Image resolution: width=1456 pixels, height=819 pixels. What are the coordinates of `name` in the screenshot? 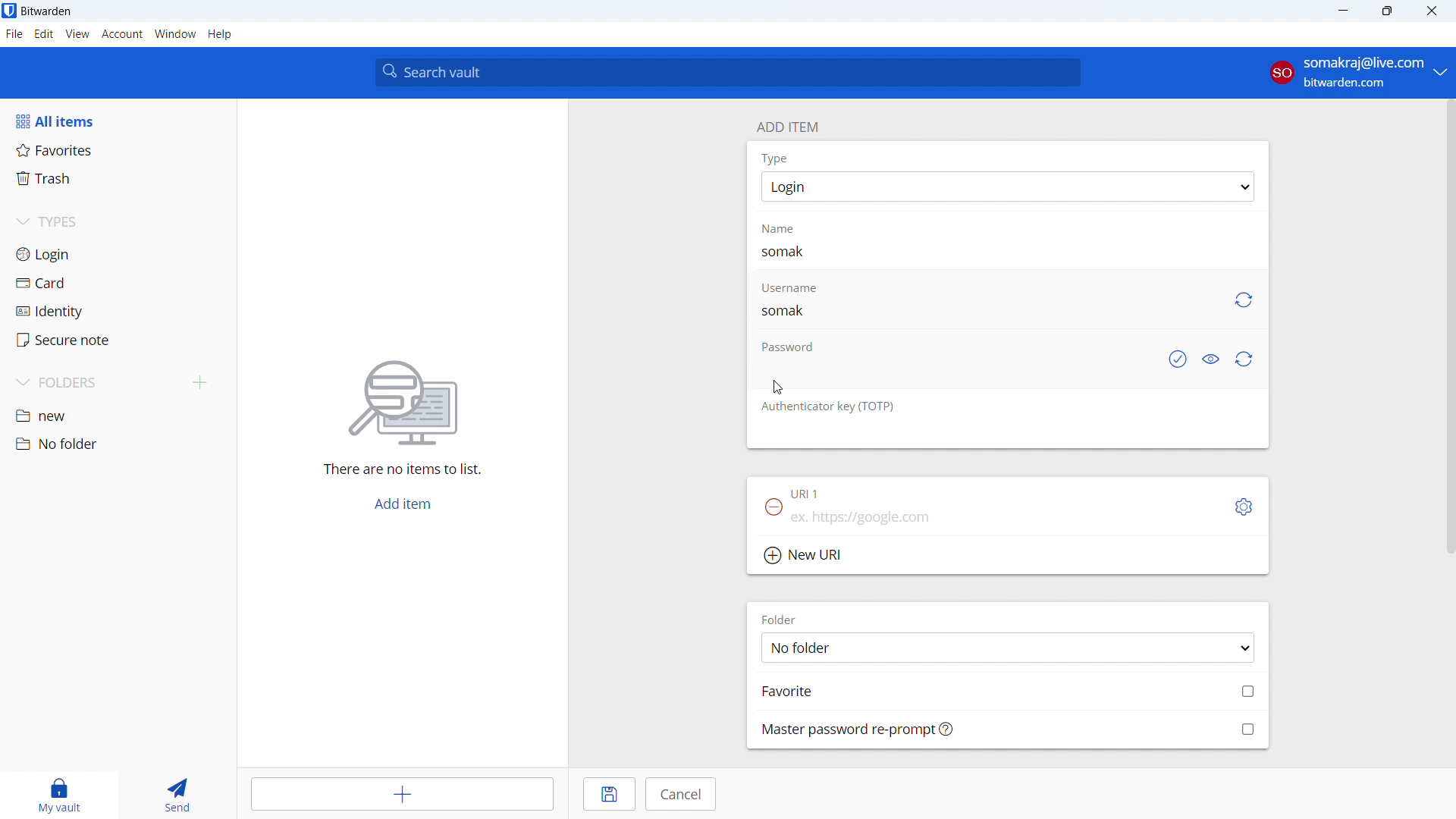 It's located at (788, 228).